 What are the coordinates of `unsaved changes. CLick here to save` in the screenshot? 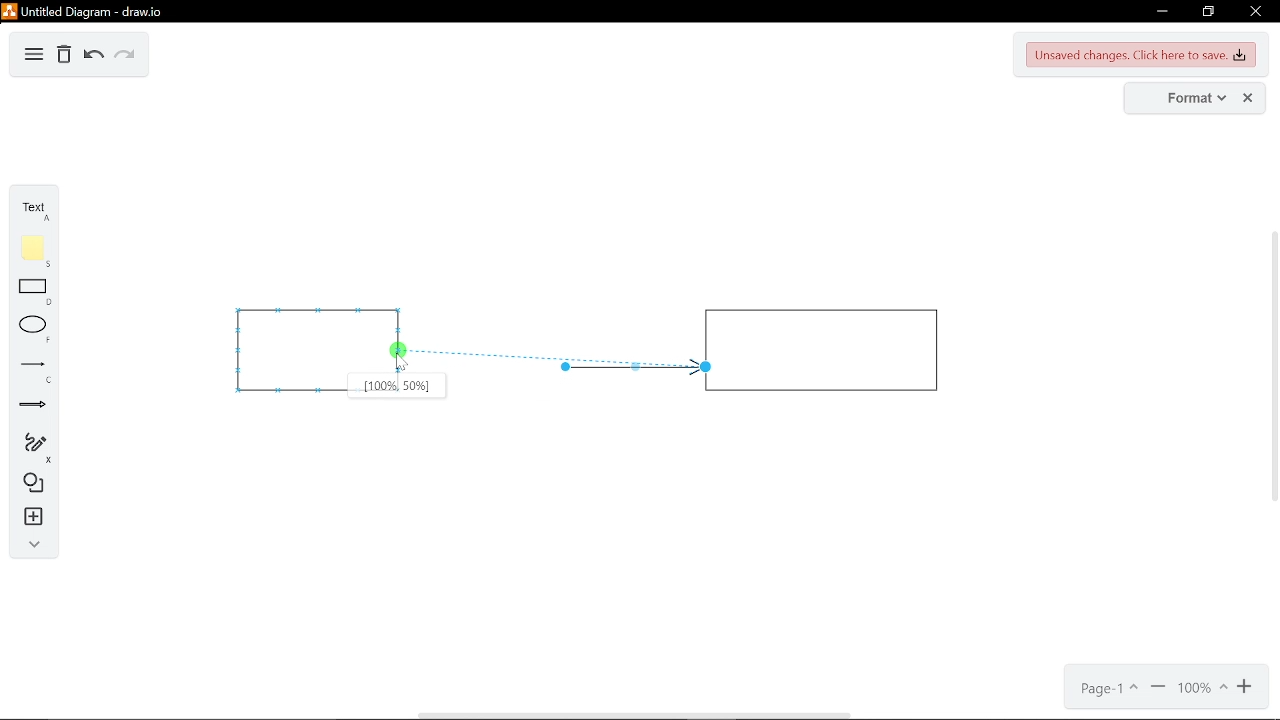 It's located at (1138, 55).